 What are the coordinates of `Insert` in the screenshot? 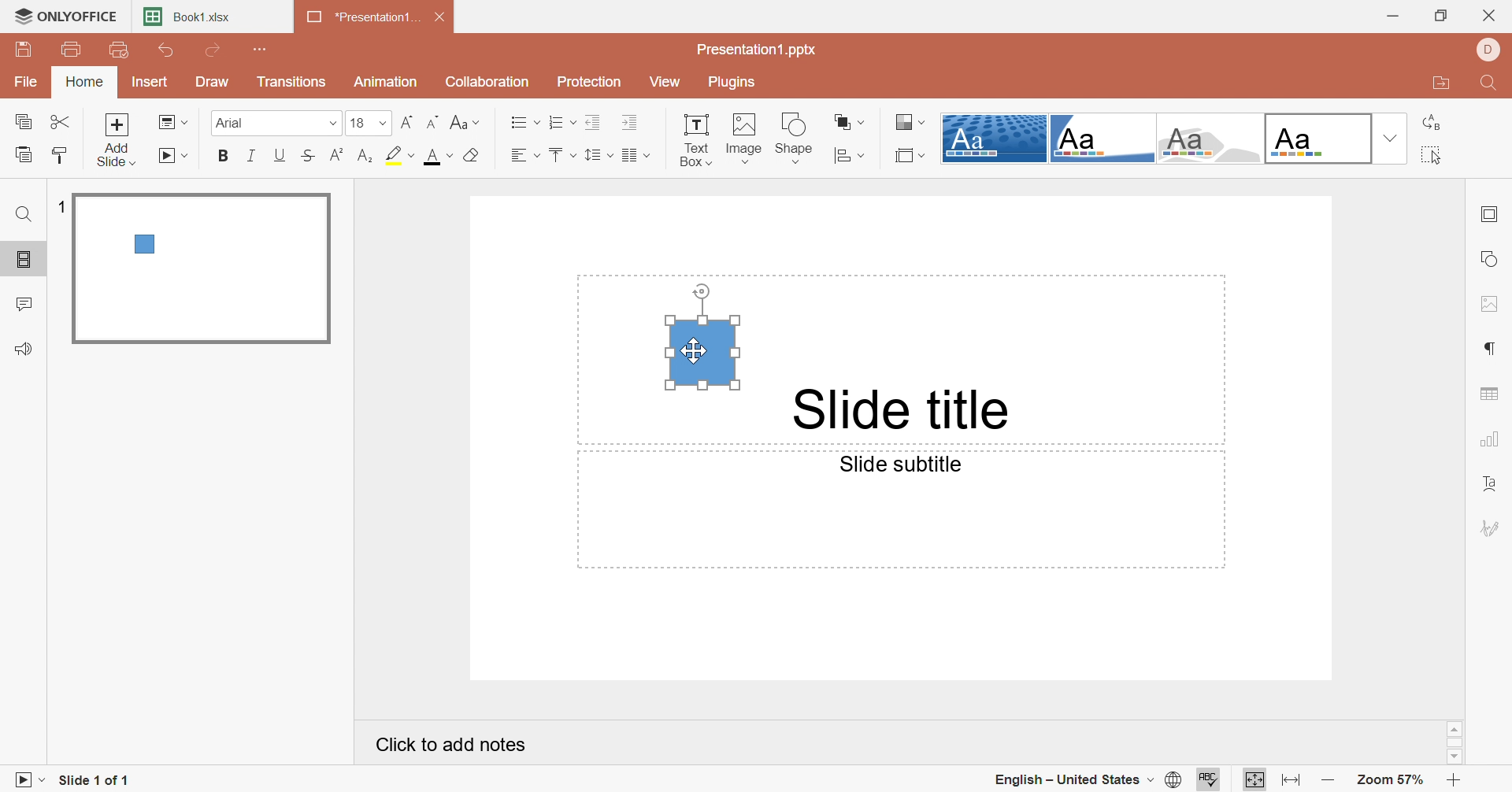 It's located at (150, 86).